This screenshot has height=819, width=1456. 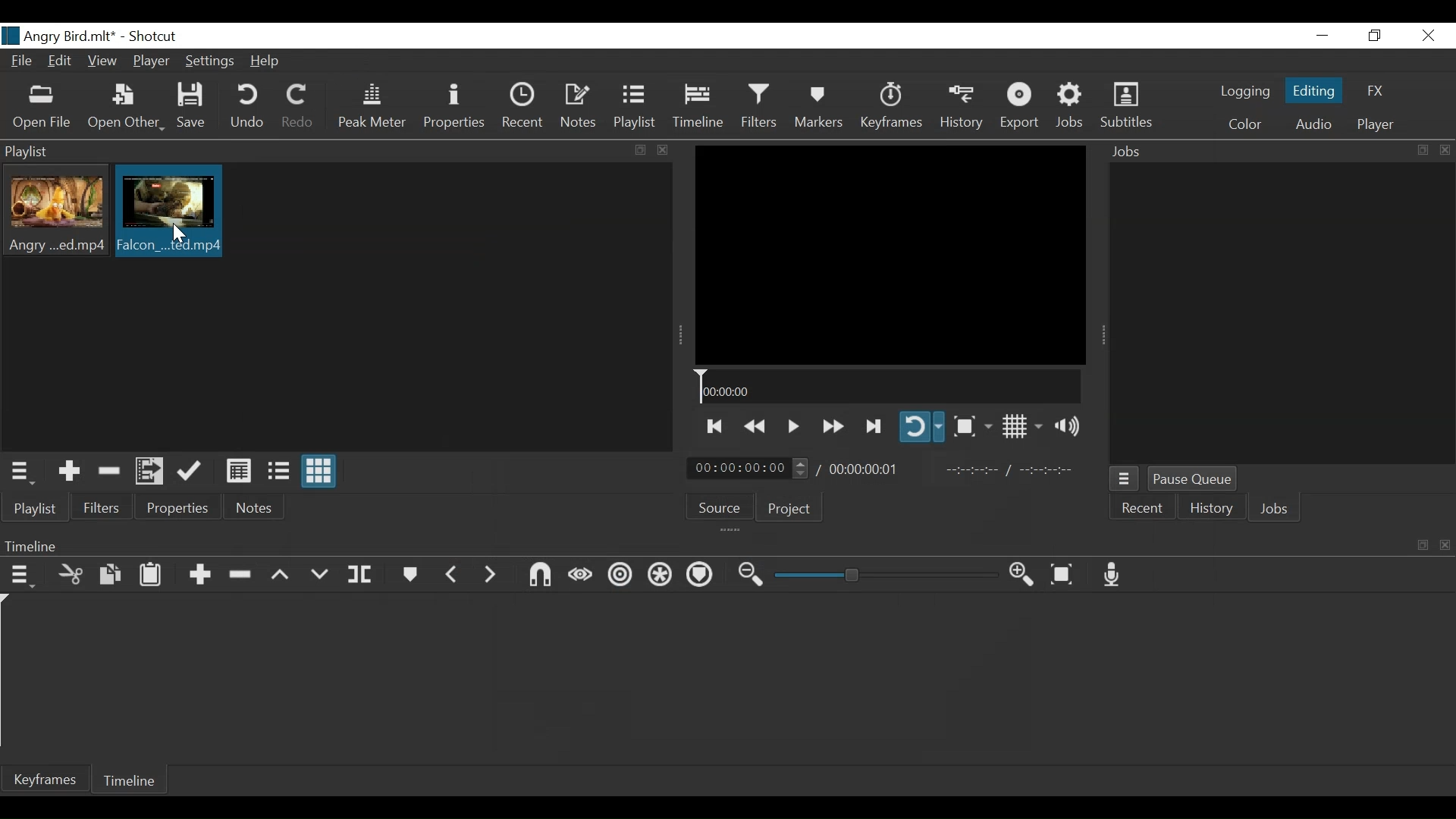 I want to click on Timeline, so click(x=692, y=544).